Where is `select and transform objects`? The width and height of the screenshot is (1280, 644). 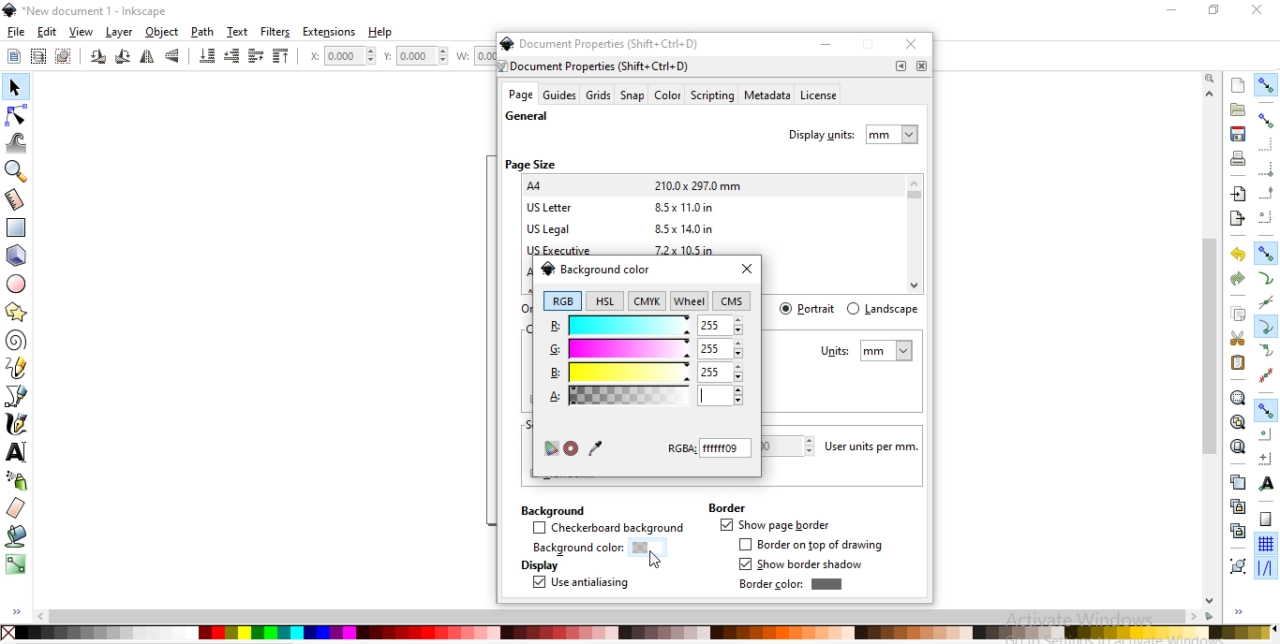
select and transform objects is located at coordinates (14, 88).